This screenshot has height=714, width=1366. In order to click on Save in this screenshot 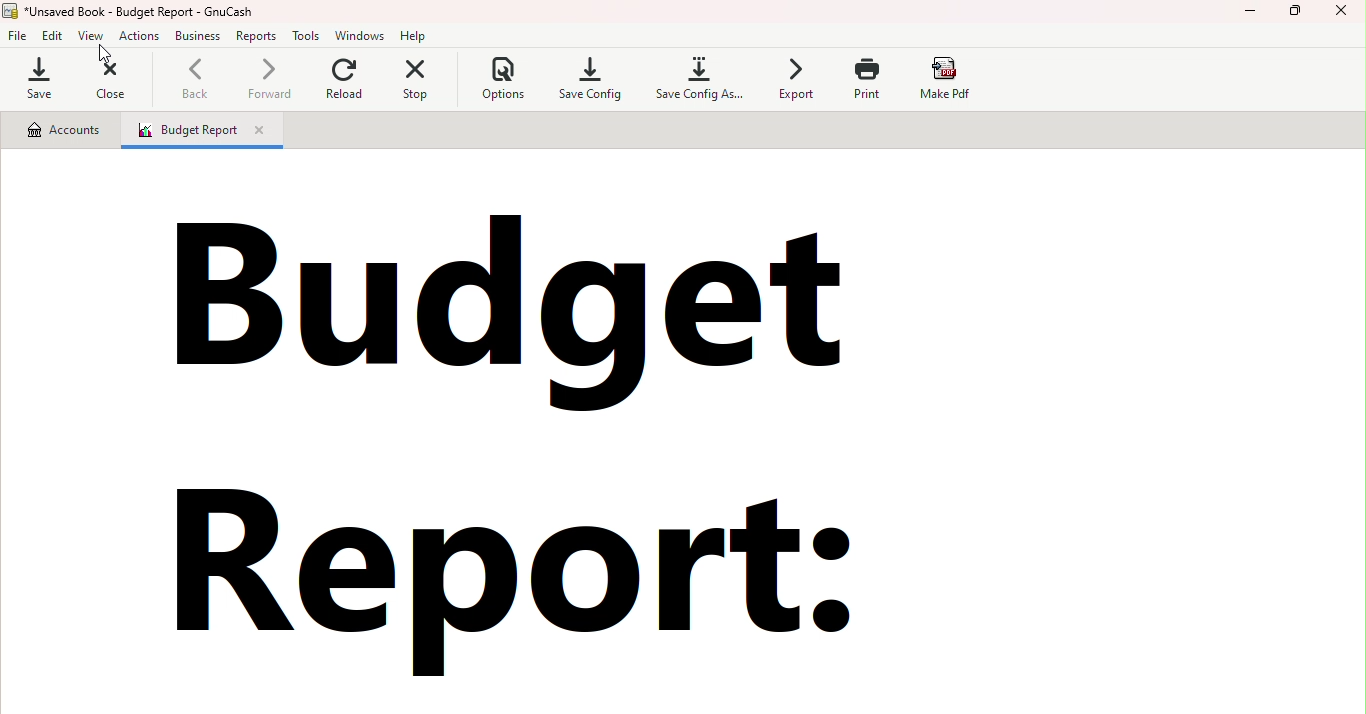, I will do `click(39, 78)`.